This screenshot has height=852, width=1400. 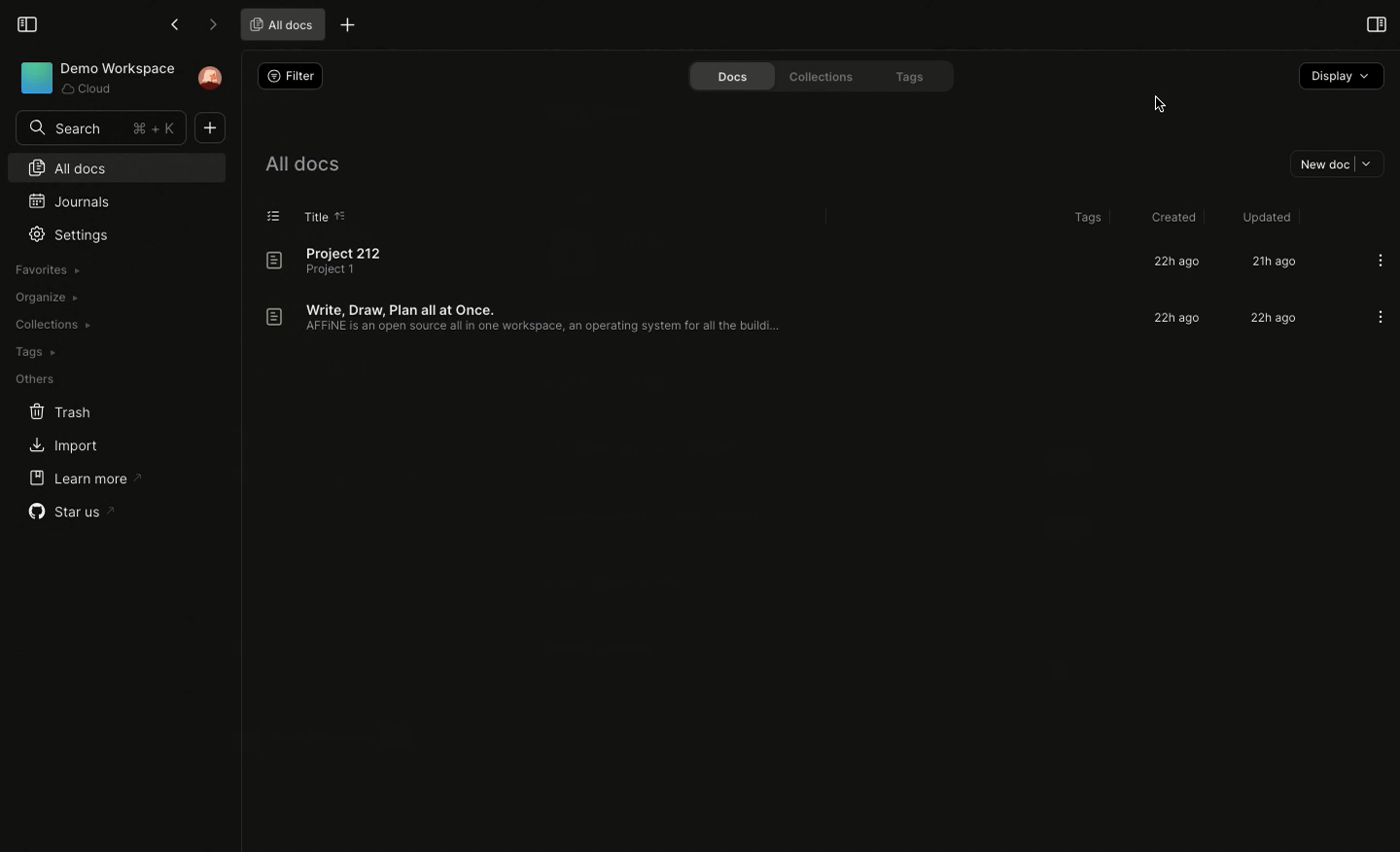 What do you see at coordinates (1172, 262) in the screenshot?
I see `22h ago` at bounding box center [1172, 262].